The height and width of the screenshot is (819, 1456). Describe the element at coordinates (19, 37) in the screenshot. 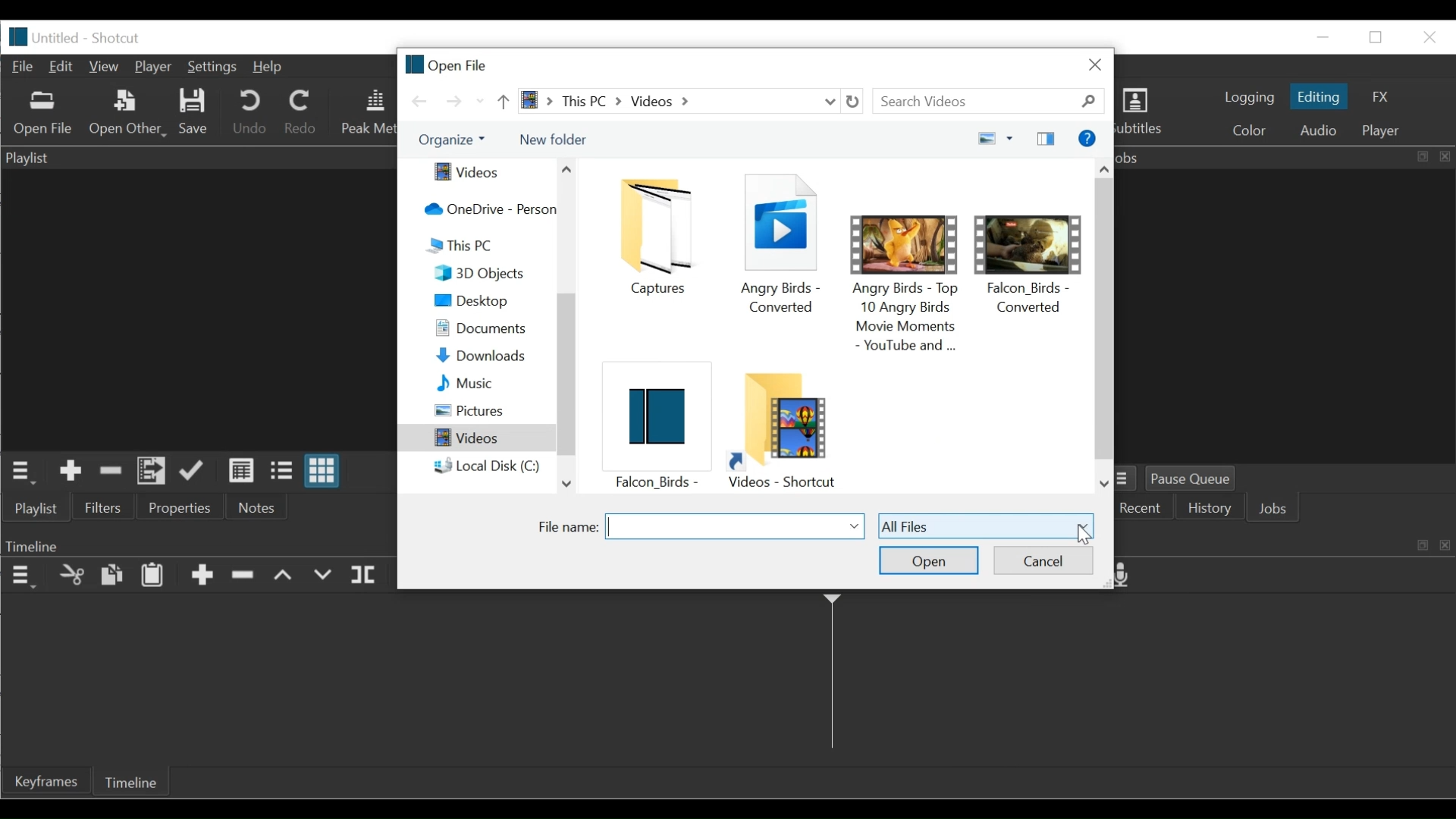

I see `logo` at that location.